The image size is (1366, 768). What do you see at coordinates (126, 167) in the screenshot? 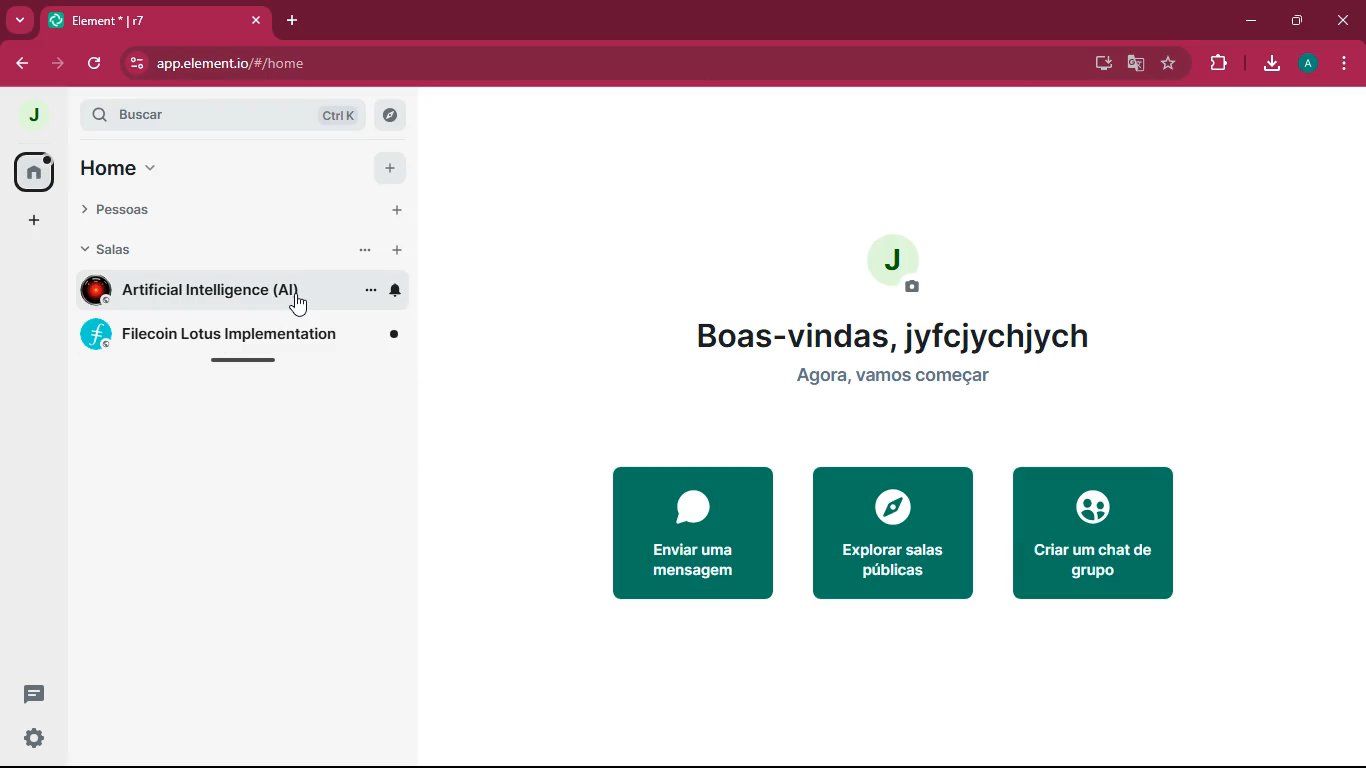
I see `home` at bounding box center [126, 167].